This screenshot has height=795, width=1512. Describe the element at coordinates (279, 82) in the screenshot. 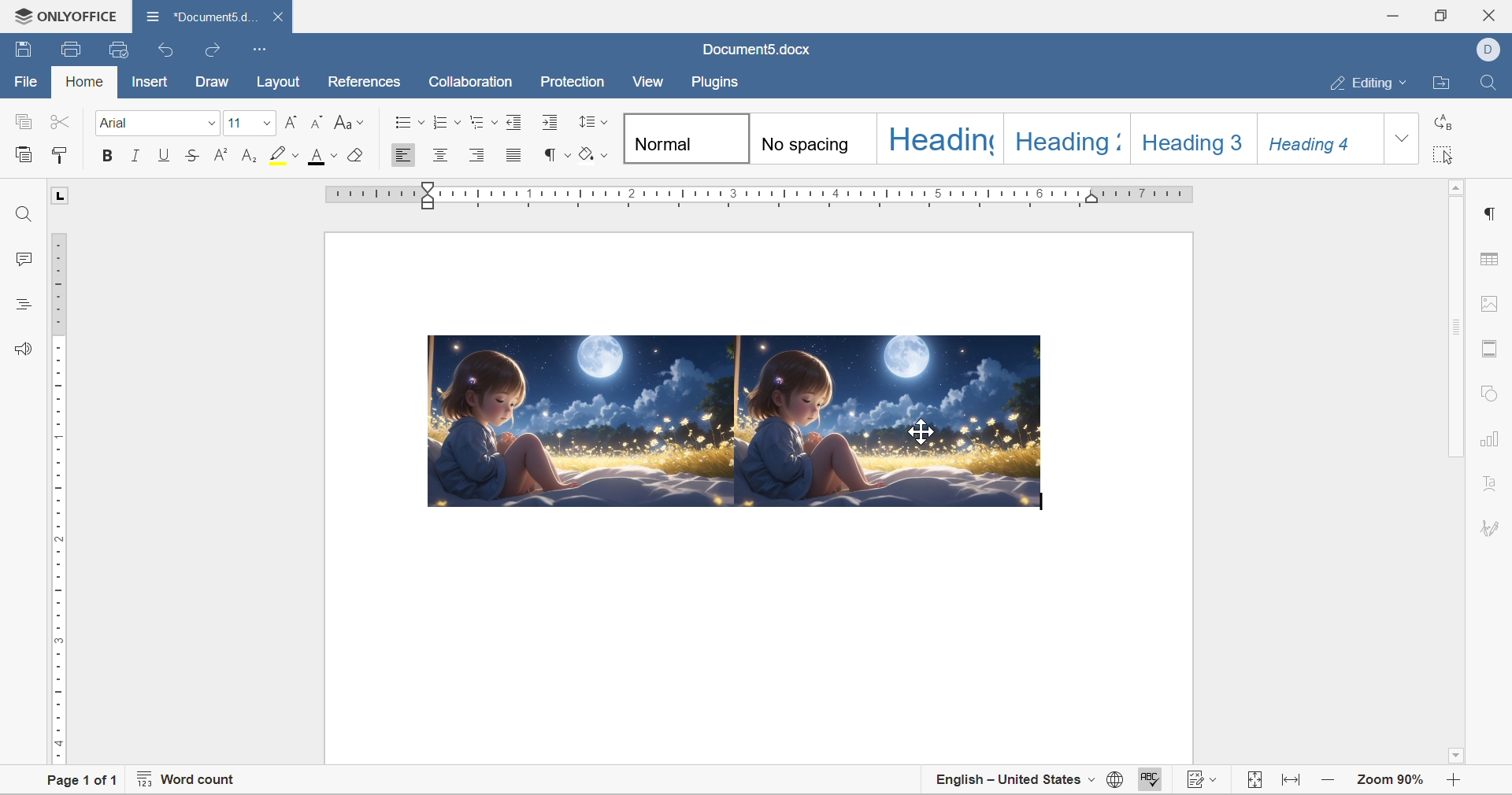

I see `layout` at that location.